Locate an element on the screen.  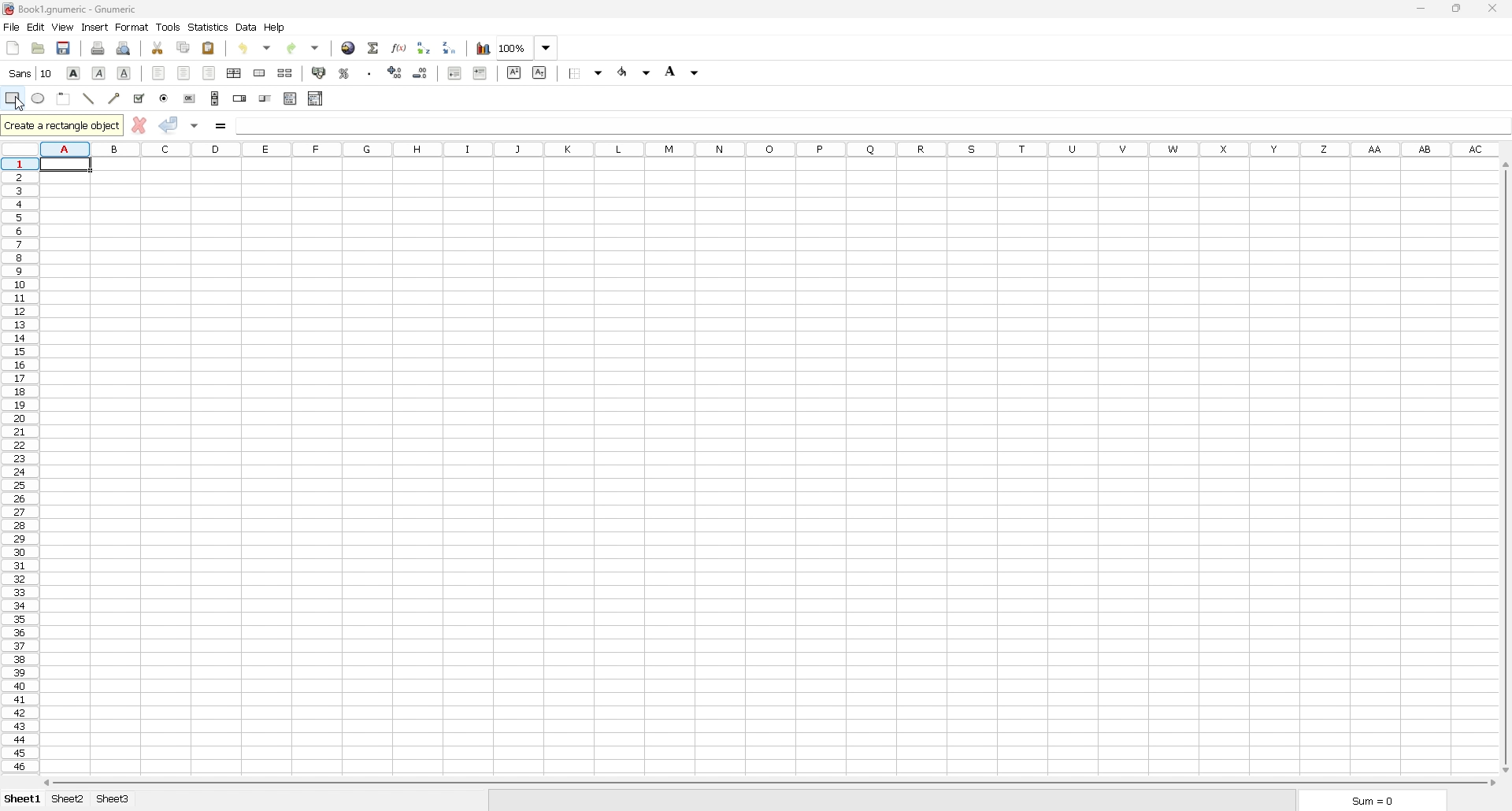
zoom is located at coordinates (527, 47).